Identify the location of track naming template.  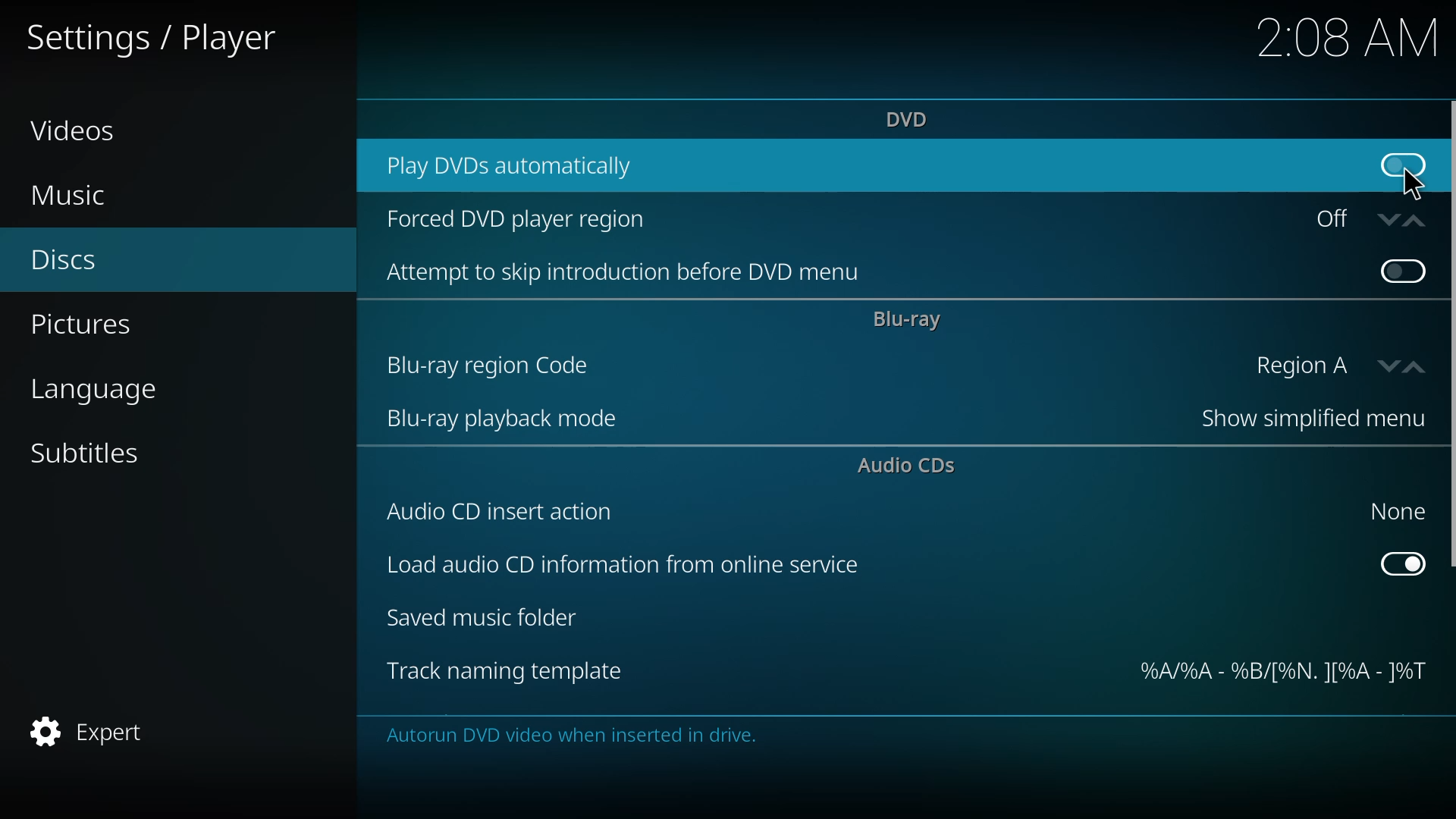
(505, 672).